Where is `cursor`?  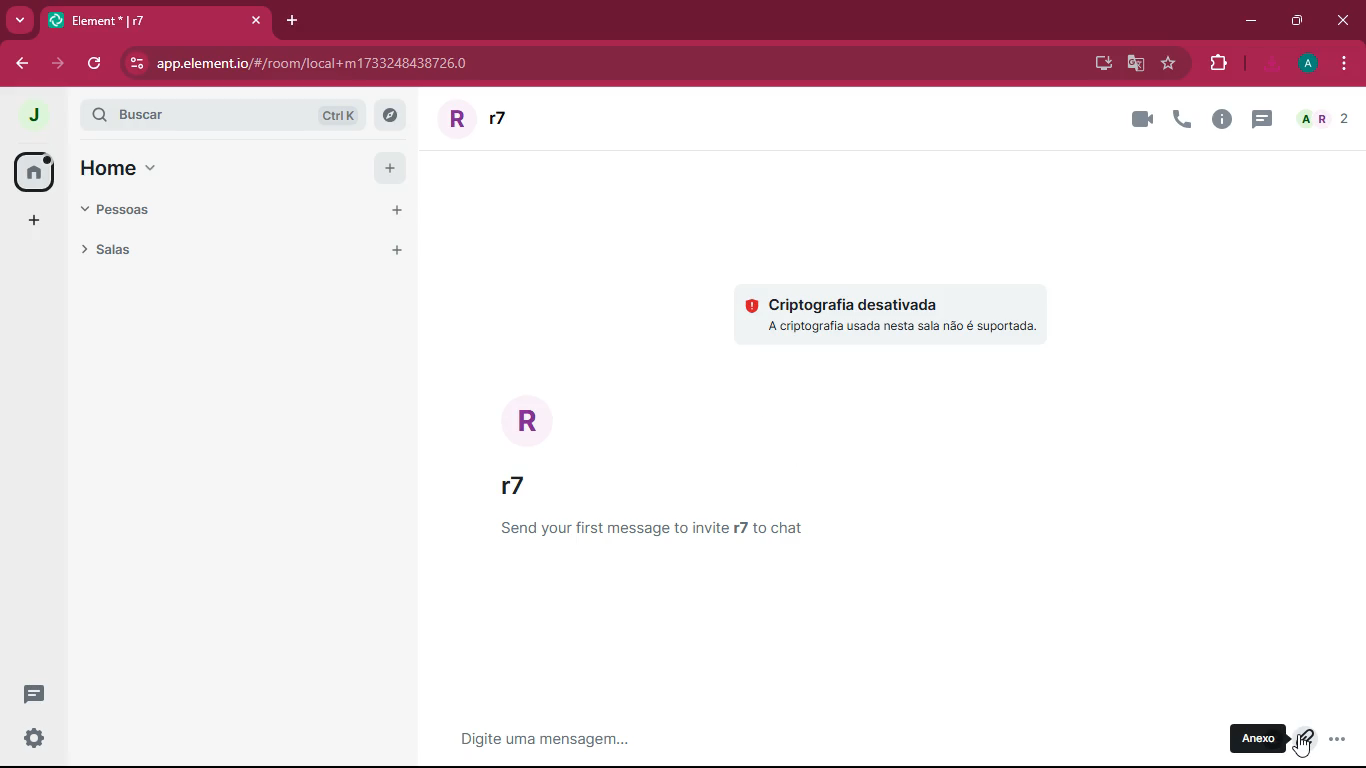
cursor is located at coordinates (1301, 749).